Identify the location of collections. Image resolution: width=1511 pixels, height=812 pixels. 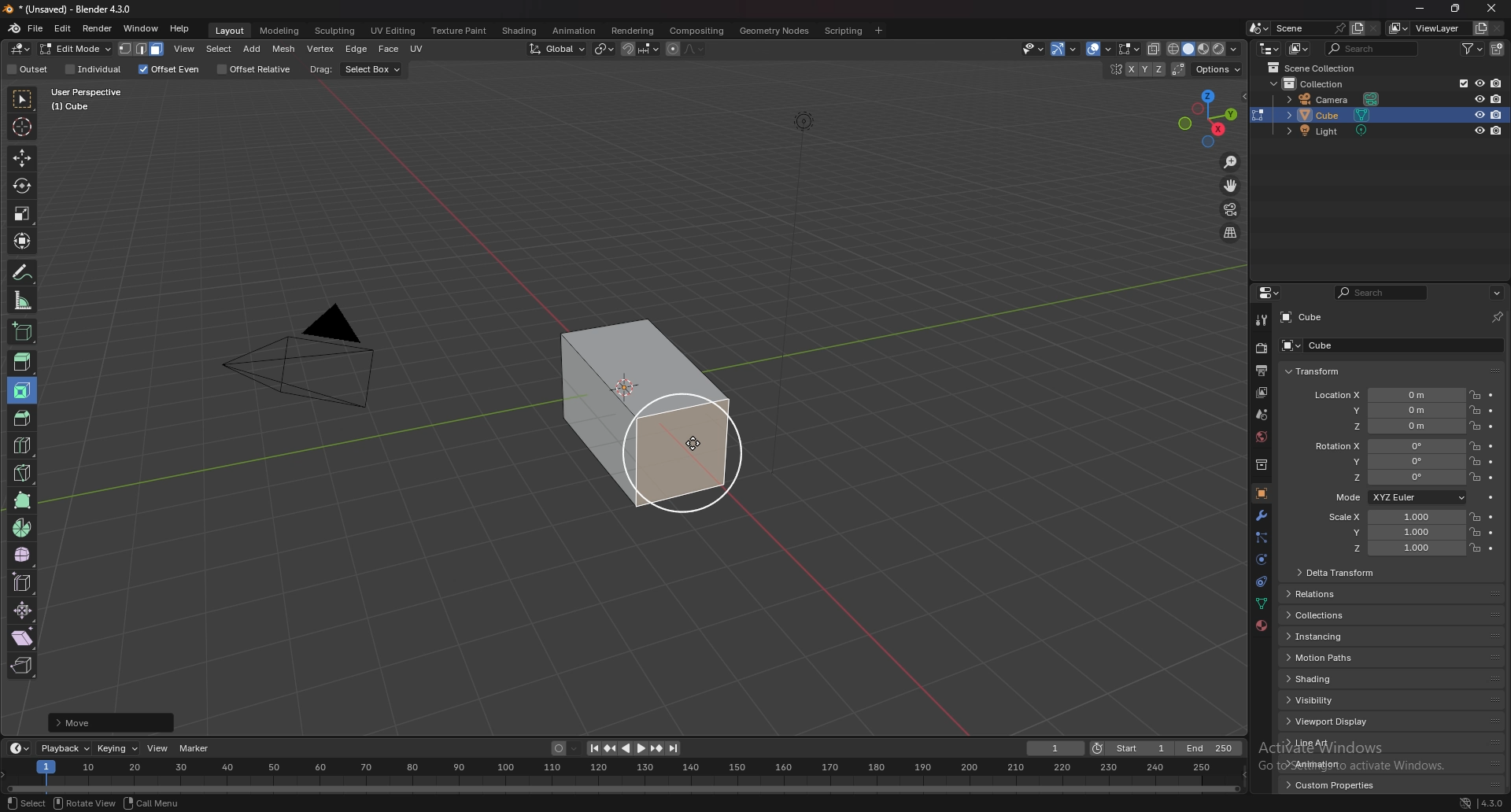
(1327, 615).